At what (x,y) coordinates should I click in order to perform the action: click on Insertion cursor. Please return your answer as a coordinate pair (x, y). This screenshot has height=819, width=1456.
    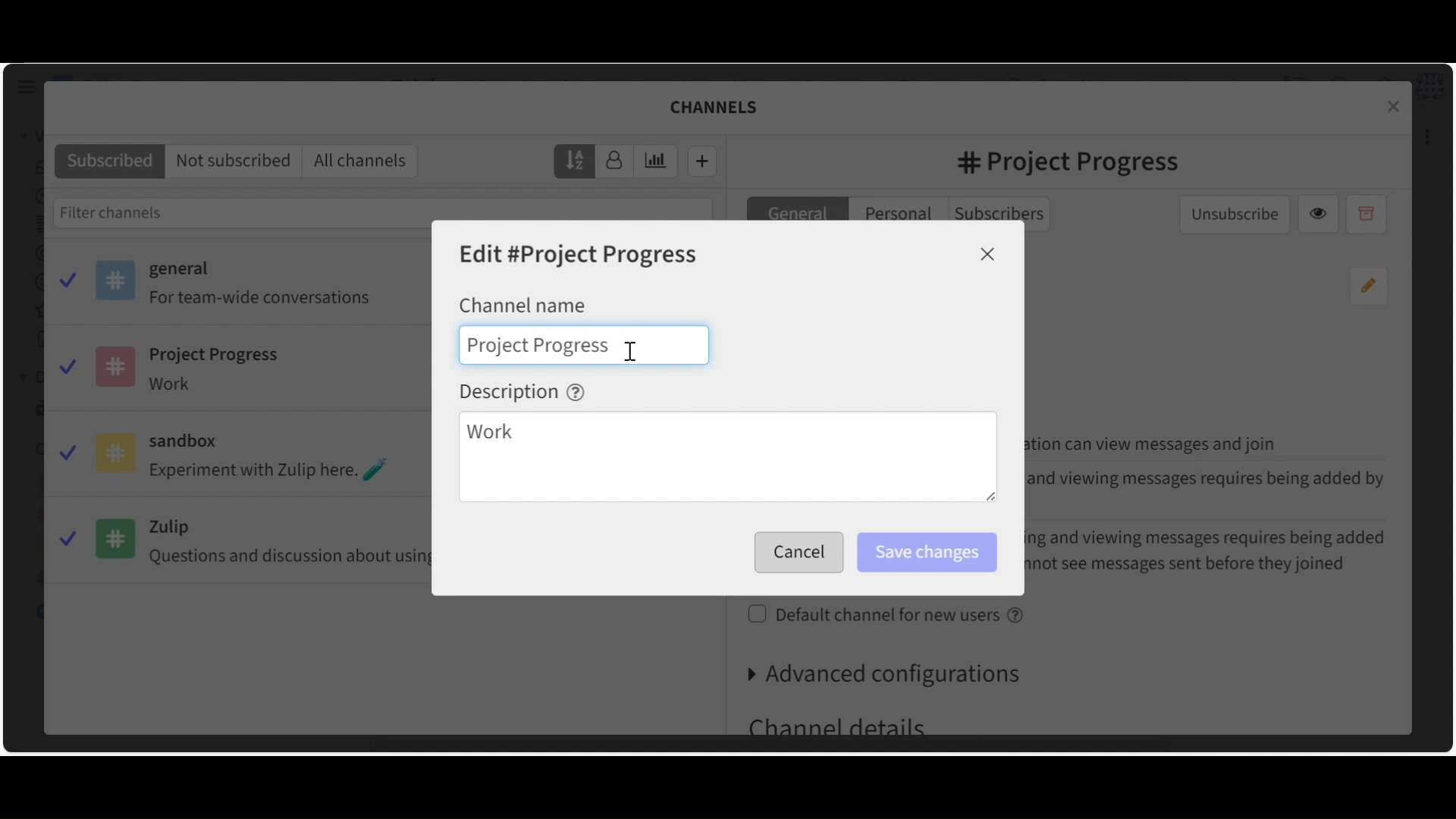
    Looking at the image, I should click on (633, 353).